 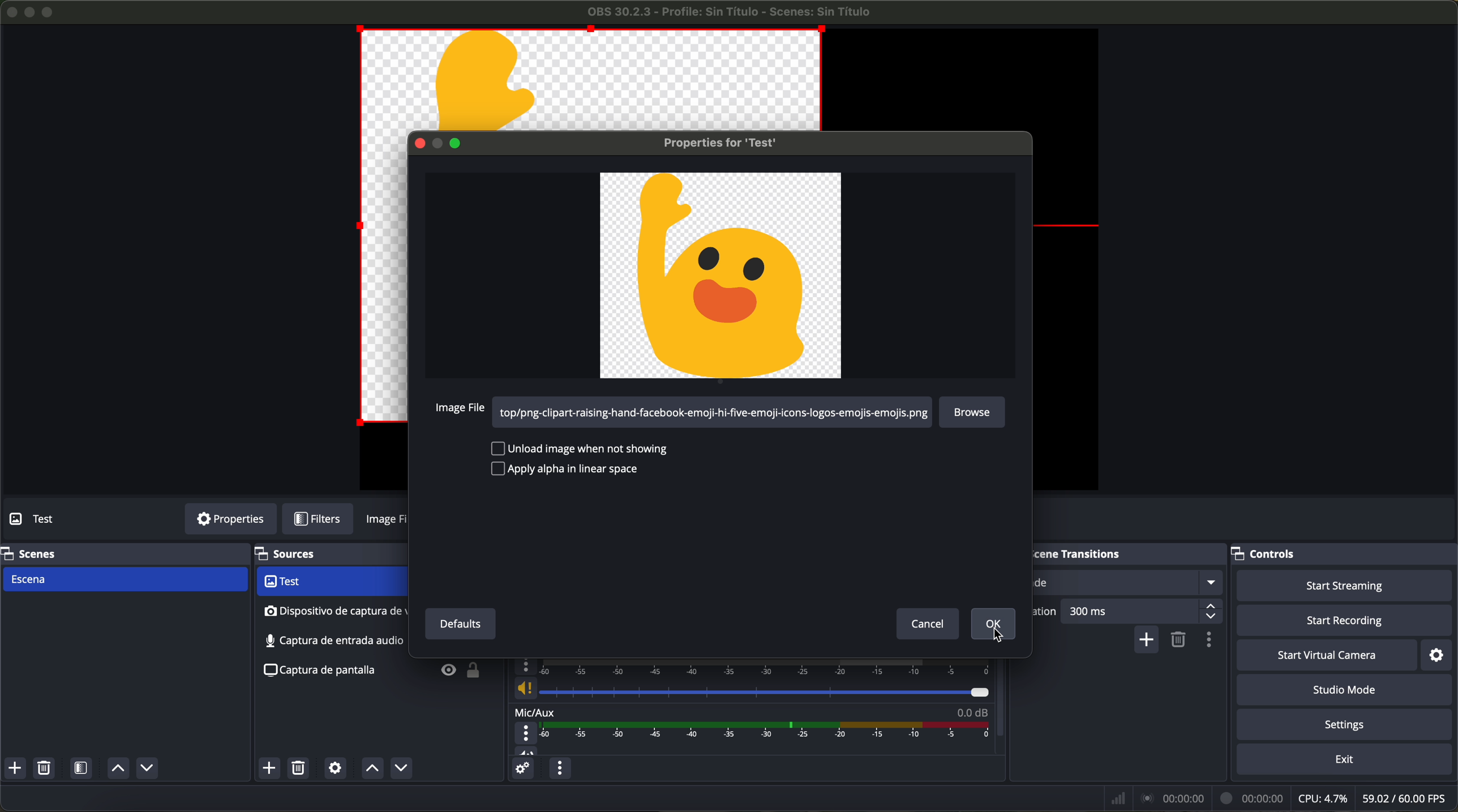 What do you see at coordinates (710, 144) in the screenshot?
I see `properties for test` at bounding box center [710, 144].